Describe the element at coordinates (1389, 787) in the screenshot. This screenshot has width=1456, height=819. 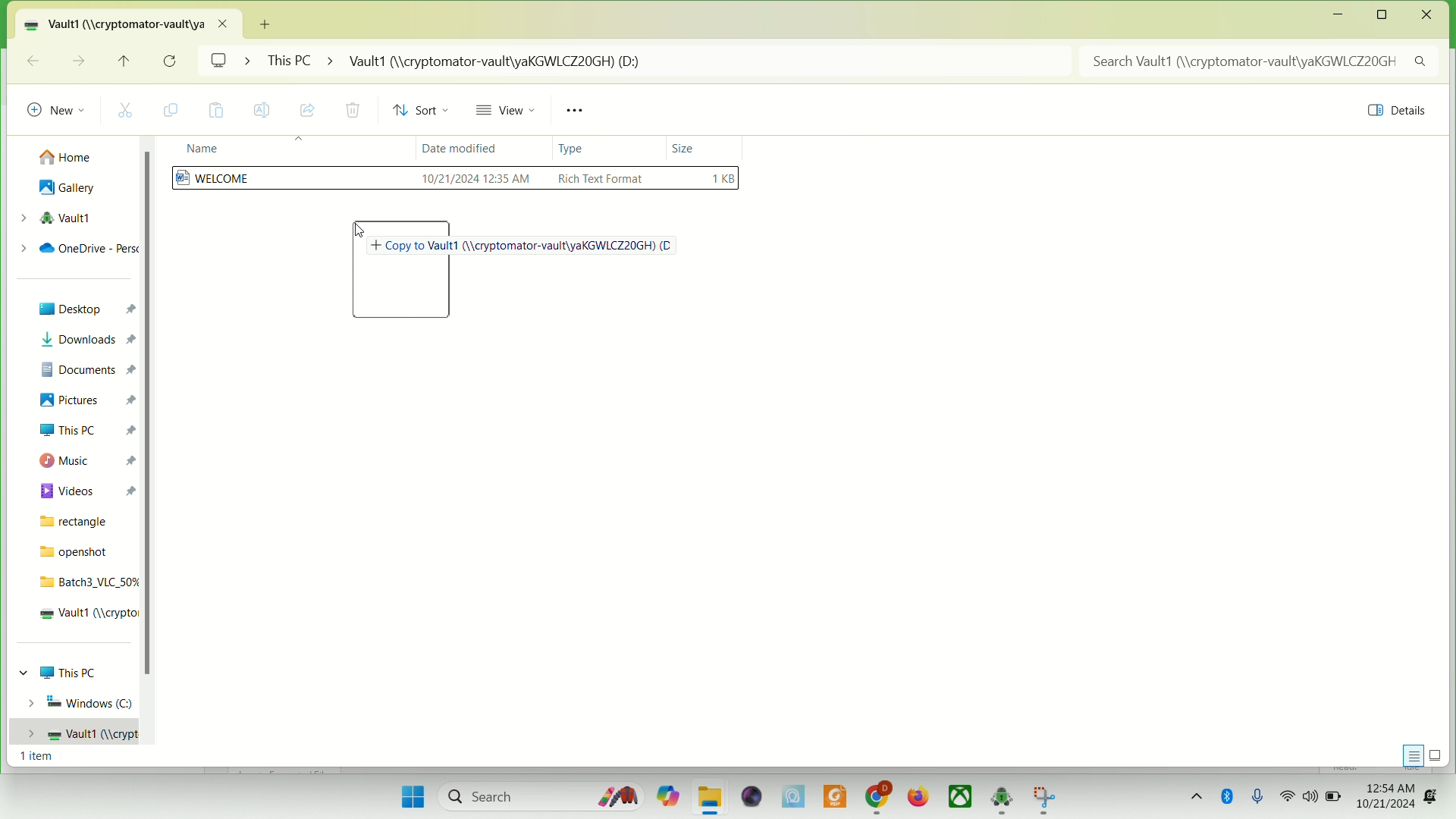
I see `time` at that location.